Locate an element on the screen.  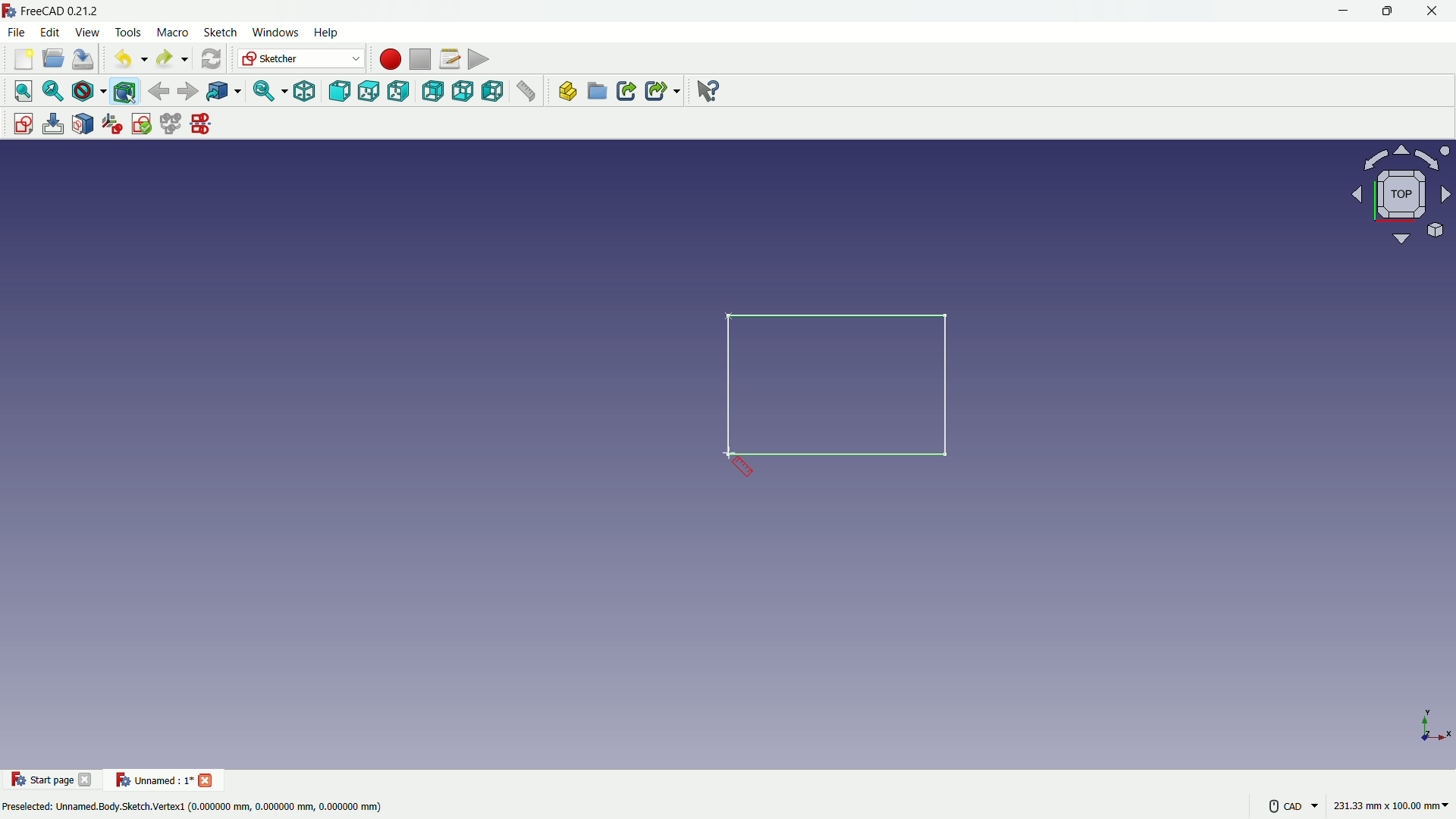
fit all is located at coordinates (20, 91).